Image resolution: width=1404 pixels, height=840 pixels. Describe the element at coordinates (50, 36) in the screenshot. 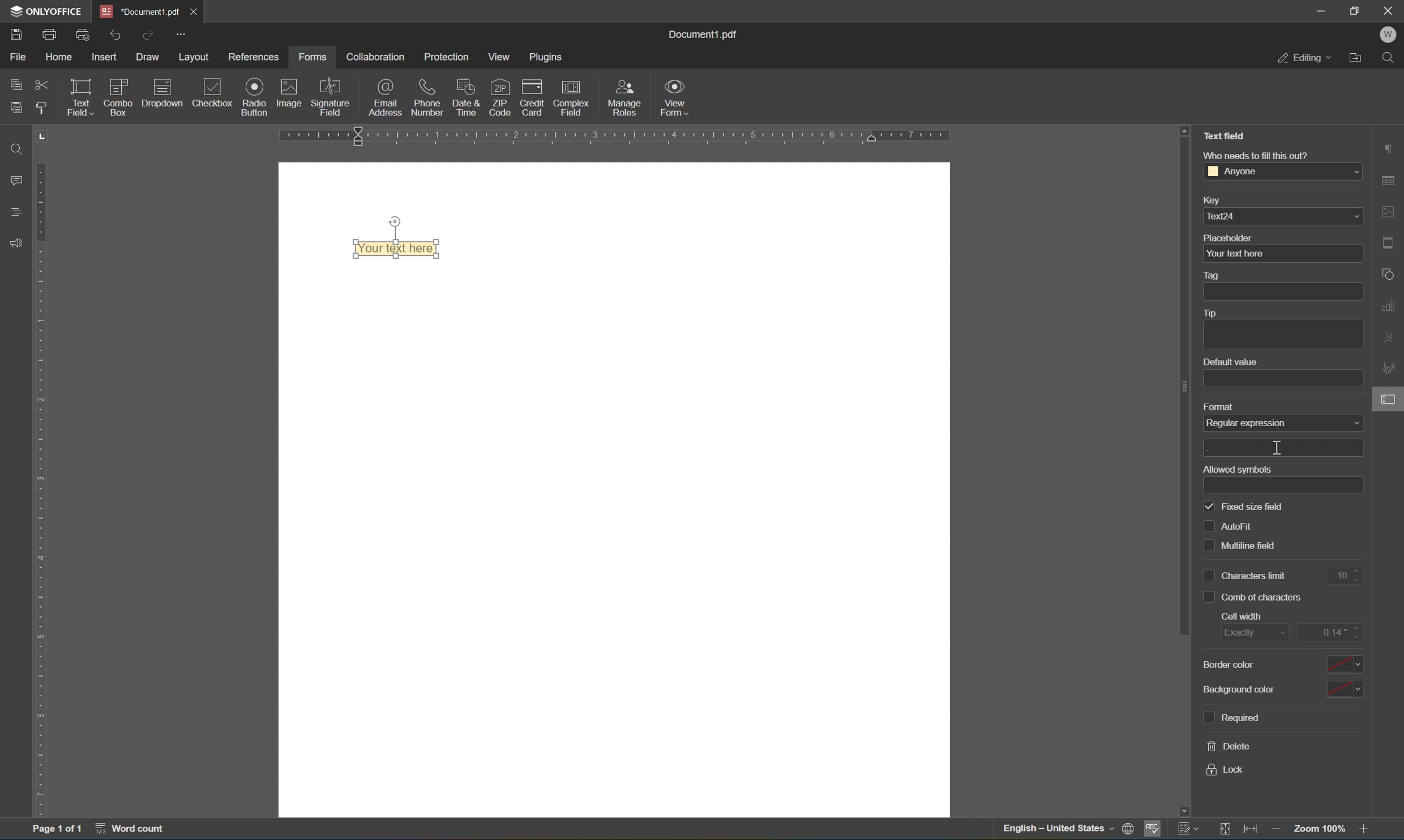

I see `print` at that location.